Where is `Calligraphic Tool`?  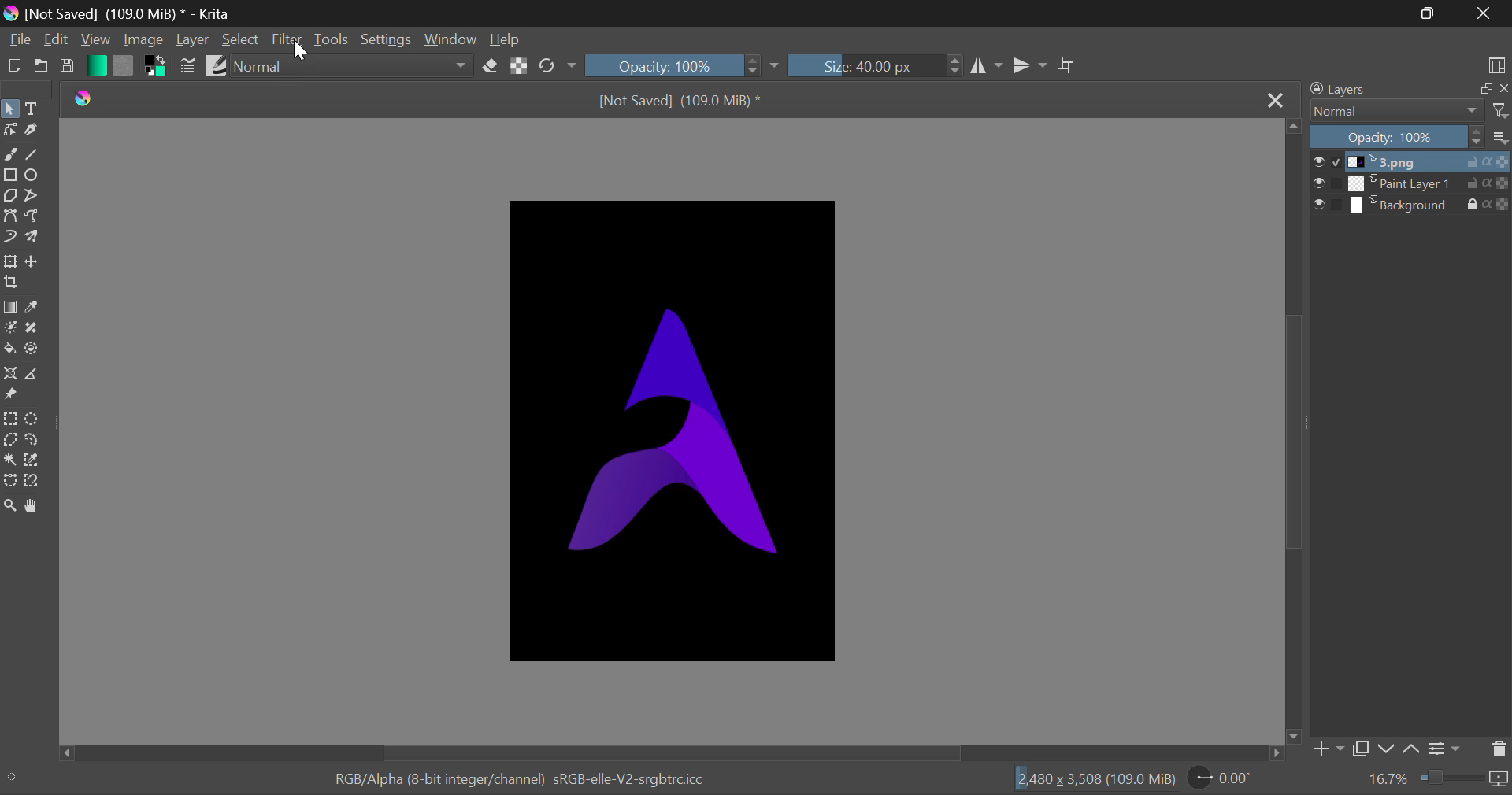 Calligraphic Tool is located at coordinates (31, 131).